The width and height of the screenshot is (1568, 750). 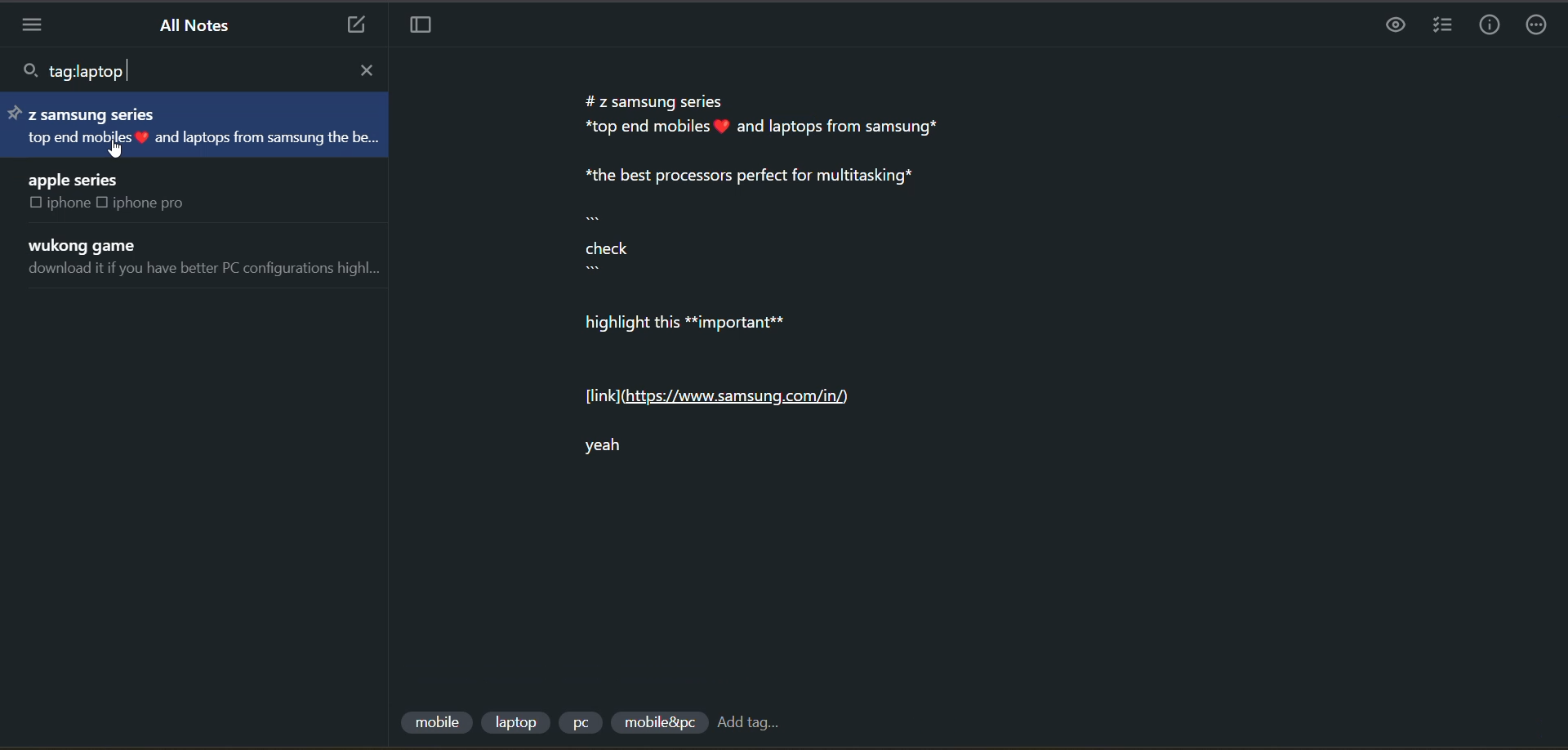 What do you see at coordinates (38, 26) in the screenshot?
I see `menu` at bounding box center [38, 26].